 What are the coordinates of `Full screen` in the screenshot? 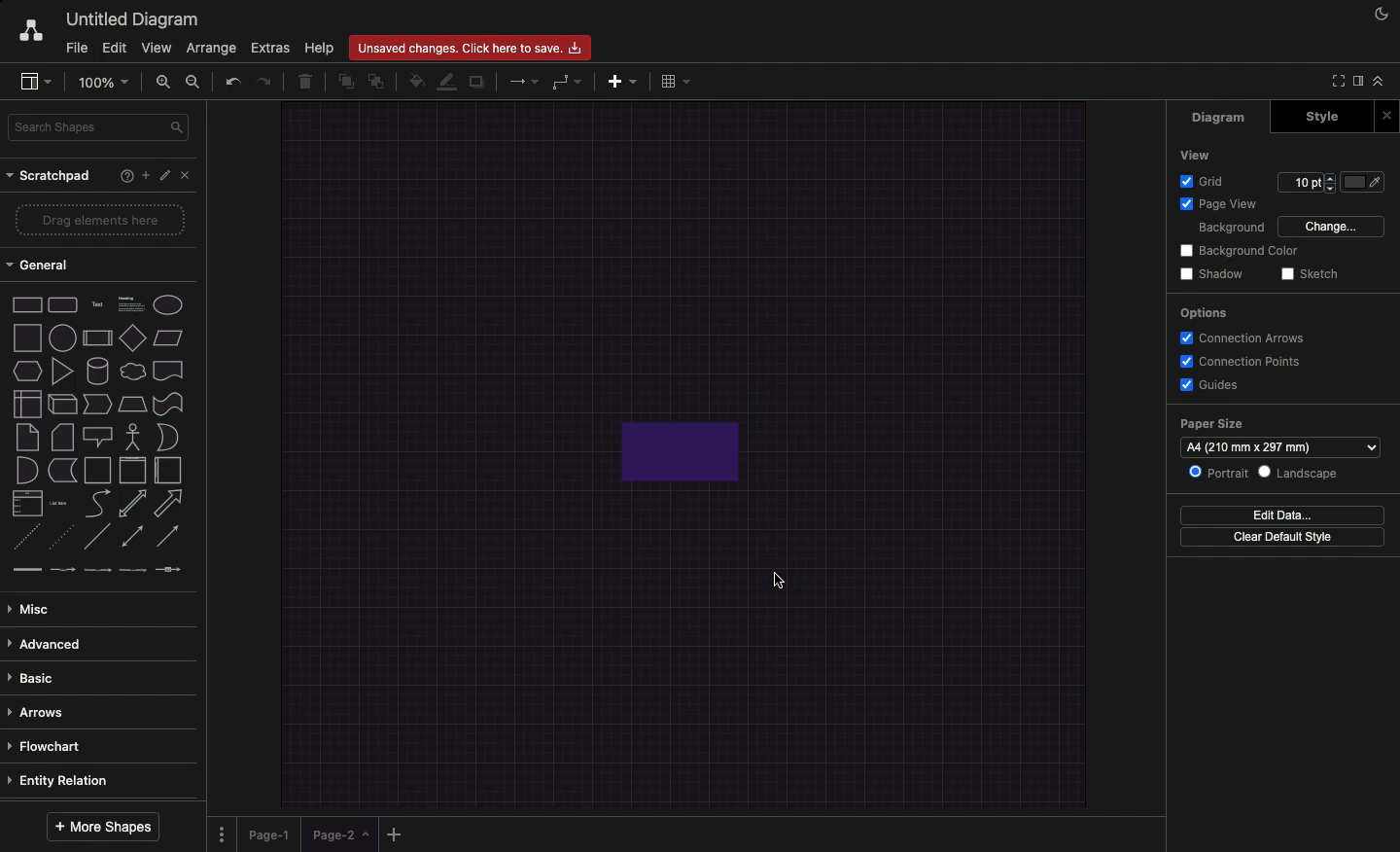 It's located at (1336, 83).